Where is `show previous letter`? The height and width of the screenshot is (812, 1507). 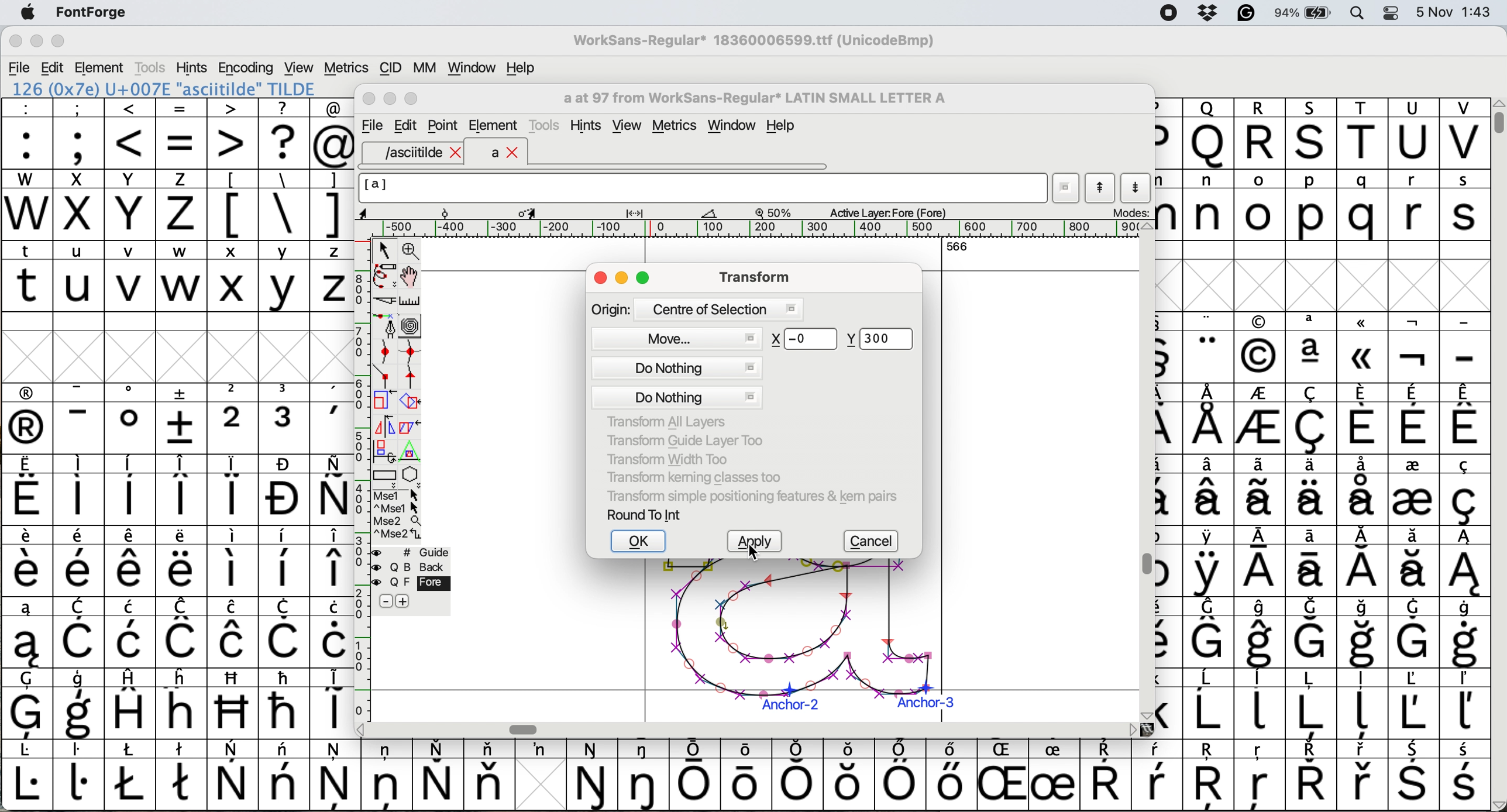 show previous letter is located at coordinates (1100, 188).